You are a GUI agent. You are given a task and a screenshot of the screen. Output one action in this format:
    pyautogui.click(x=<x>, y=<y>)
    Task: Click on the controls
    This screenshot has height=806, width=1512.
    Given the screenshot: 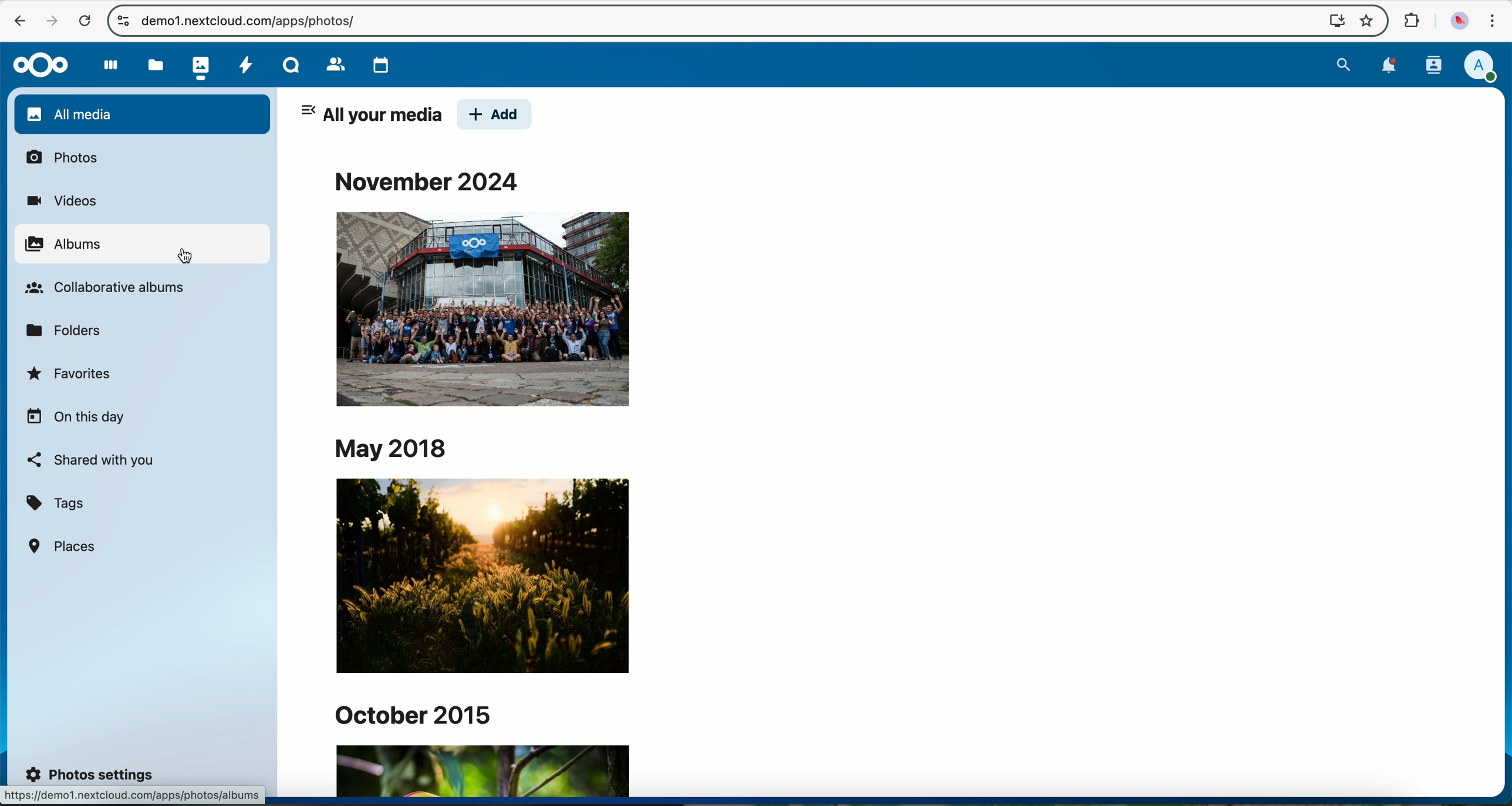 What is the action you would take?
    pyautogui.click(x=123, y=20)
    